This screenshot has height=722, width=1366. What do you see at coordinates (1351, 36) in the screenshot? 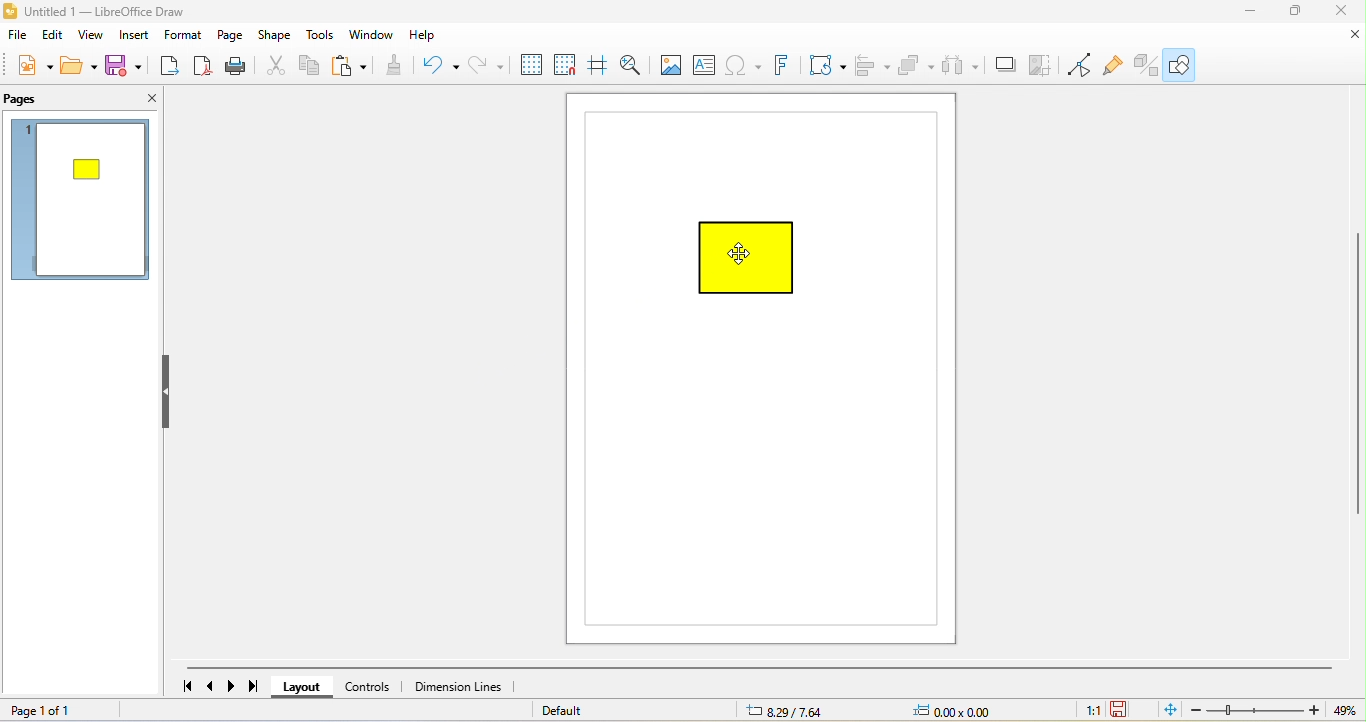
I see `close` at bounding box center [1351, 36].